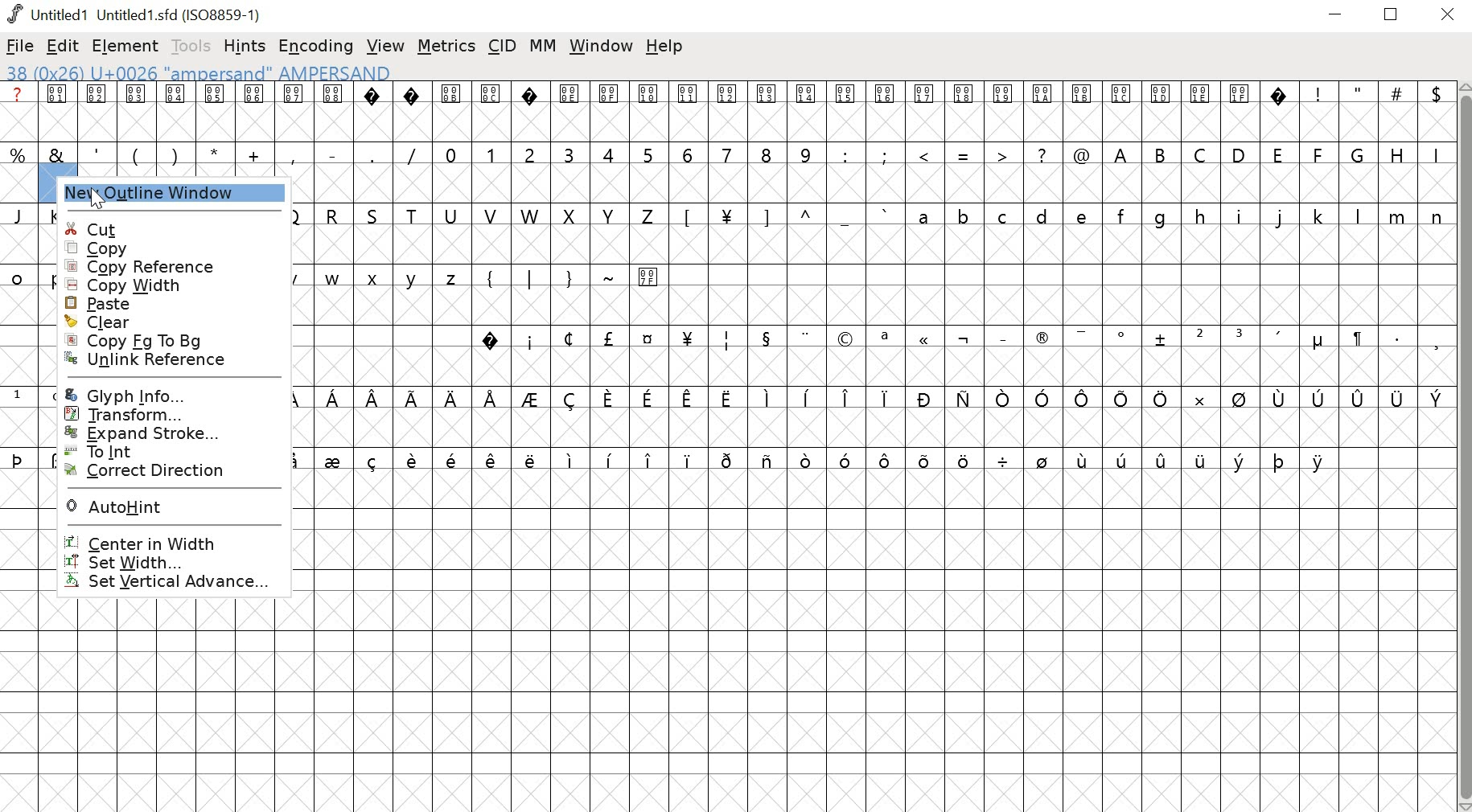 This screenshot has width=1472, height=812. Describe the element at coordinates (1336, 17) in the screenshot. I see `minimize` at that location.